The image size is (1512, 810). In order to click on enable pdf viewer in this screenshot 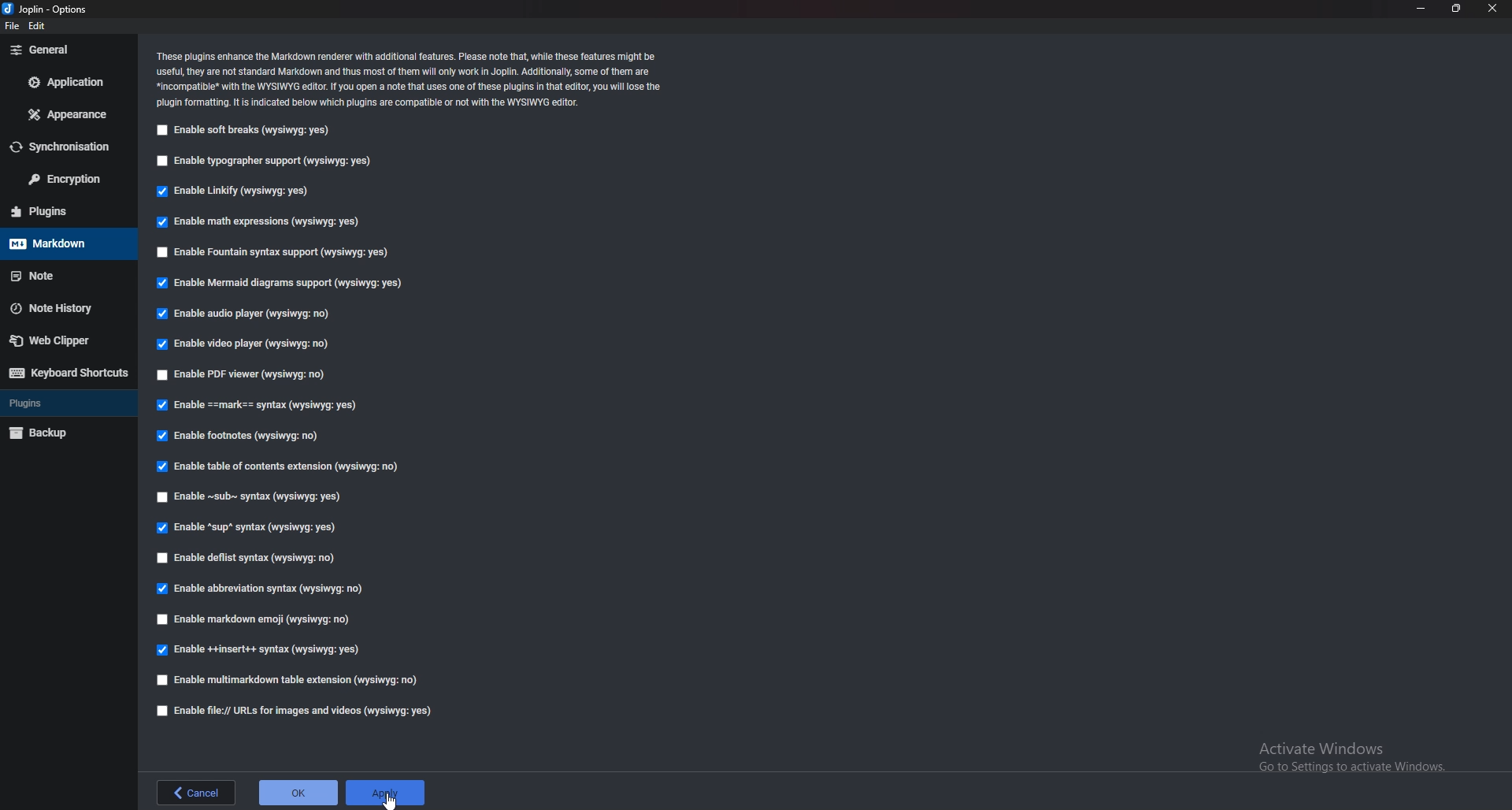, I will do `click(247, 373)`.